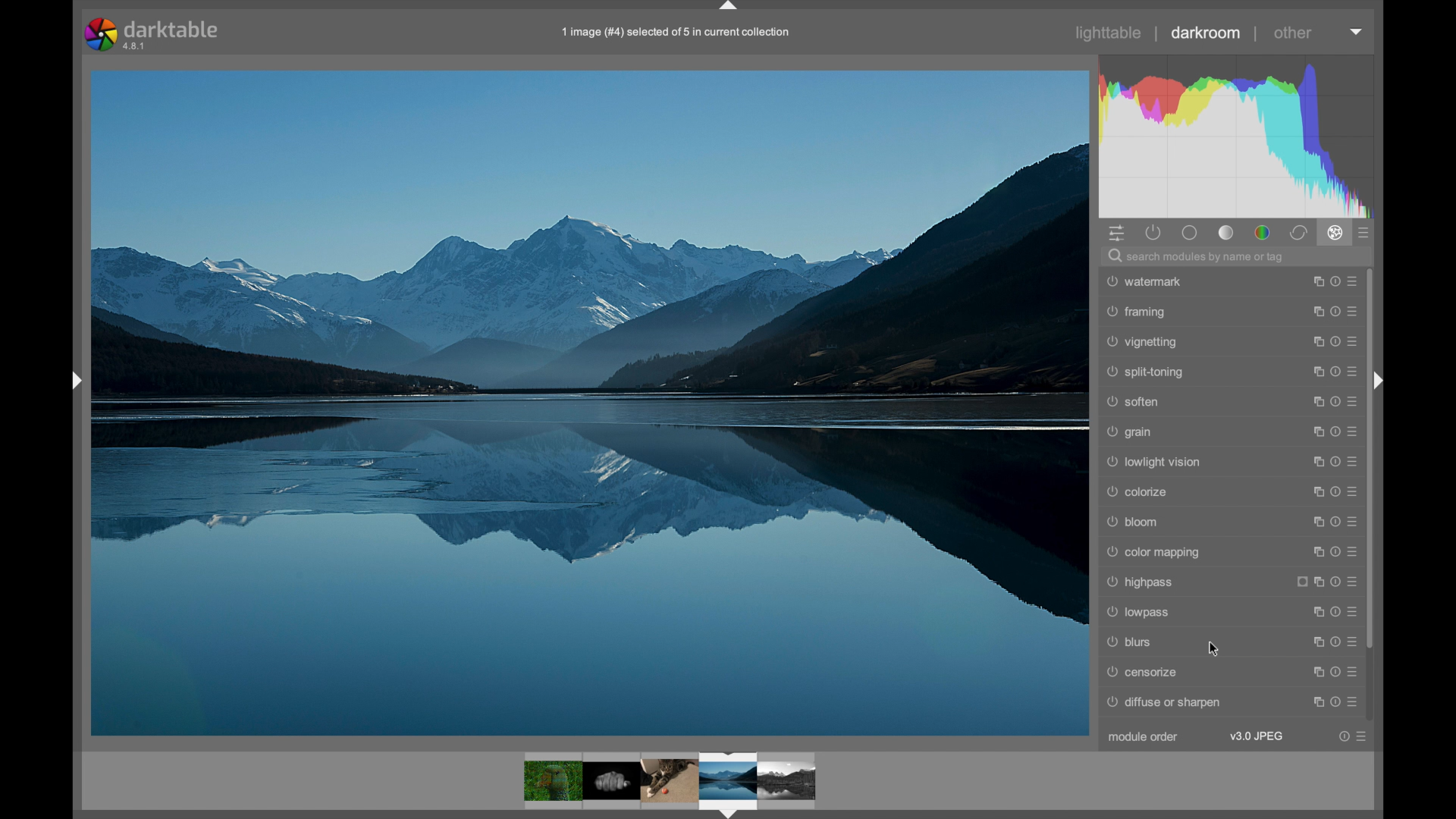 Image resolution: width=1456 pixels, height=819 pixels. What do you see at coordinates (1315, 462) in the screenshot?
I see `maximize` at bounding box center [1315, 462].